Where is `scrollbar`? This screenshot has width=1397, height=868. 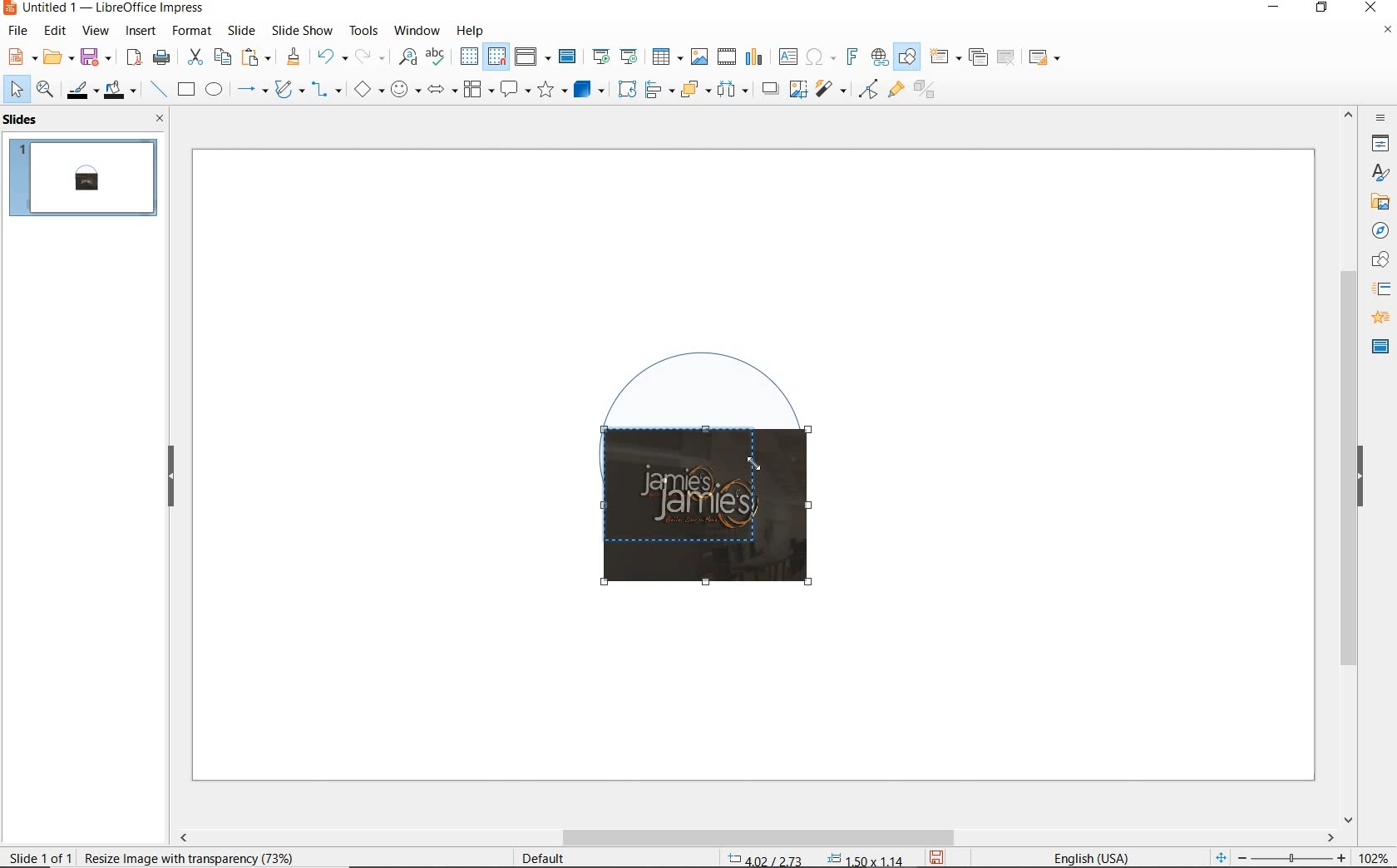 scrollbar is located at coordinates (1349, 465).